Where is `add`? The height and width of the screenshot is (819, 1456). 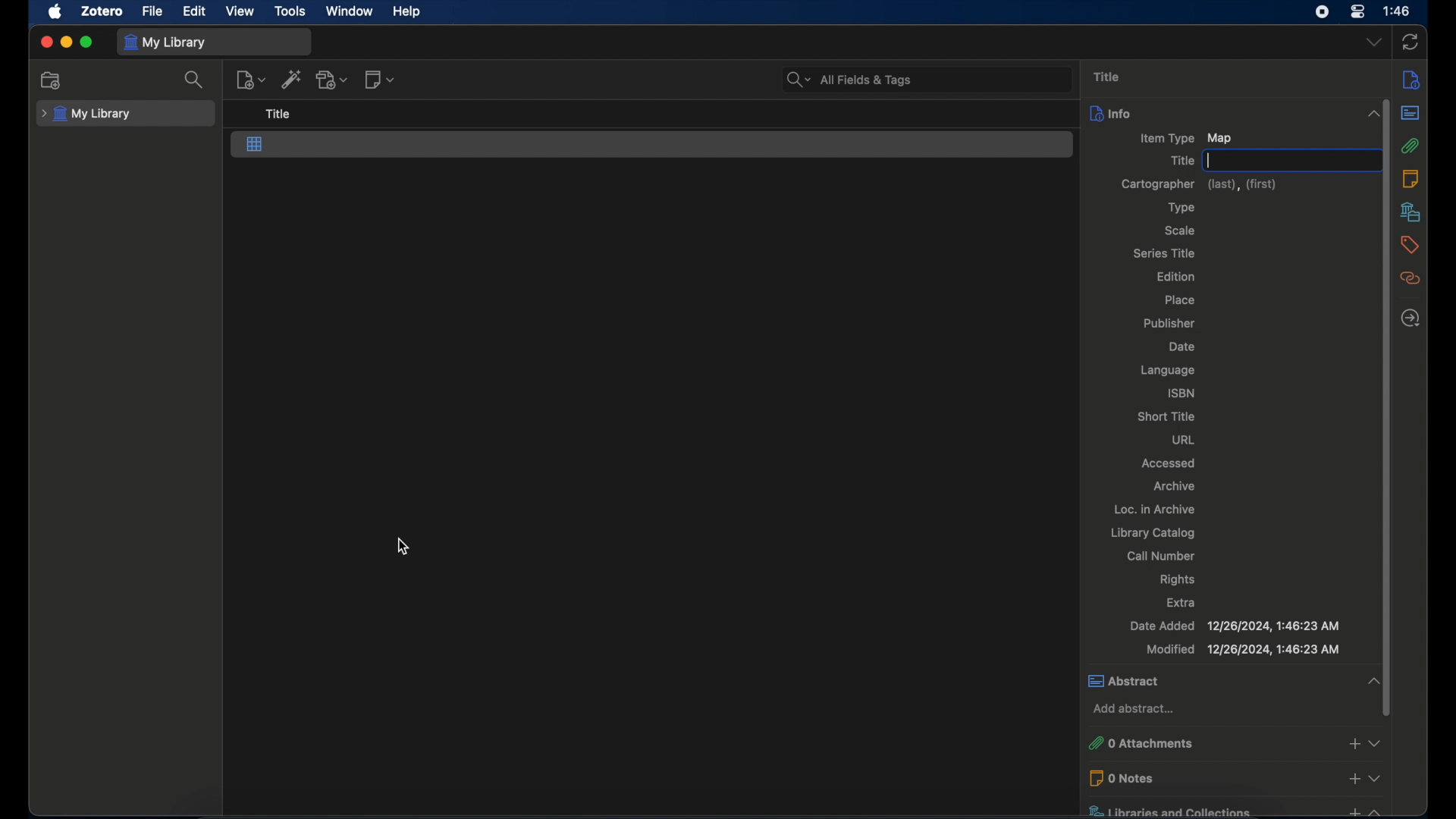
add is located at coordinates (1354, 743).